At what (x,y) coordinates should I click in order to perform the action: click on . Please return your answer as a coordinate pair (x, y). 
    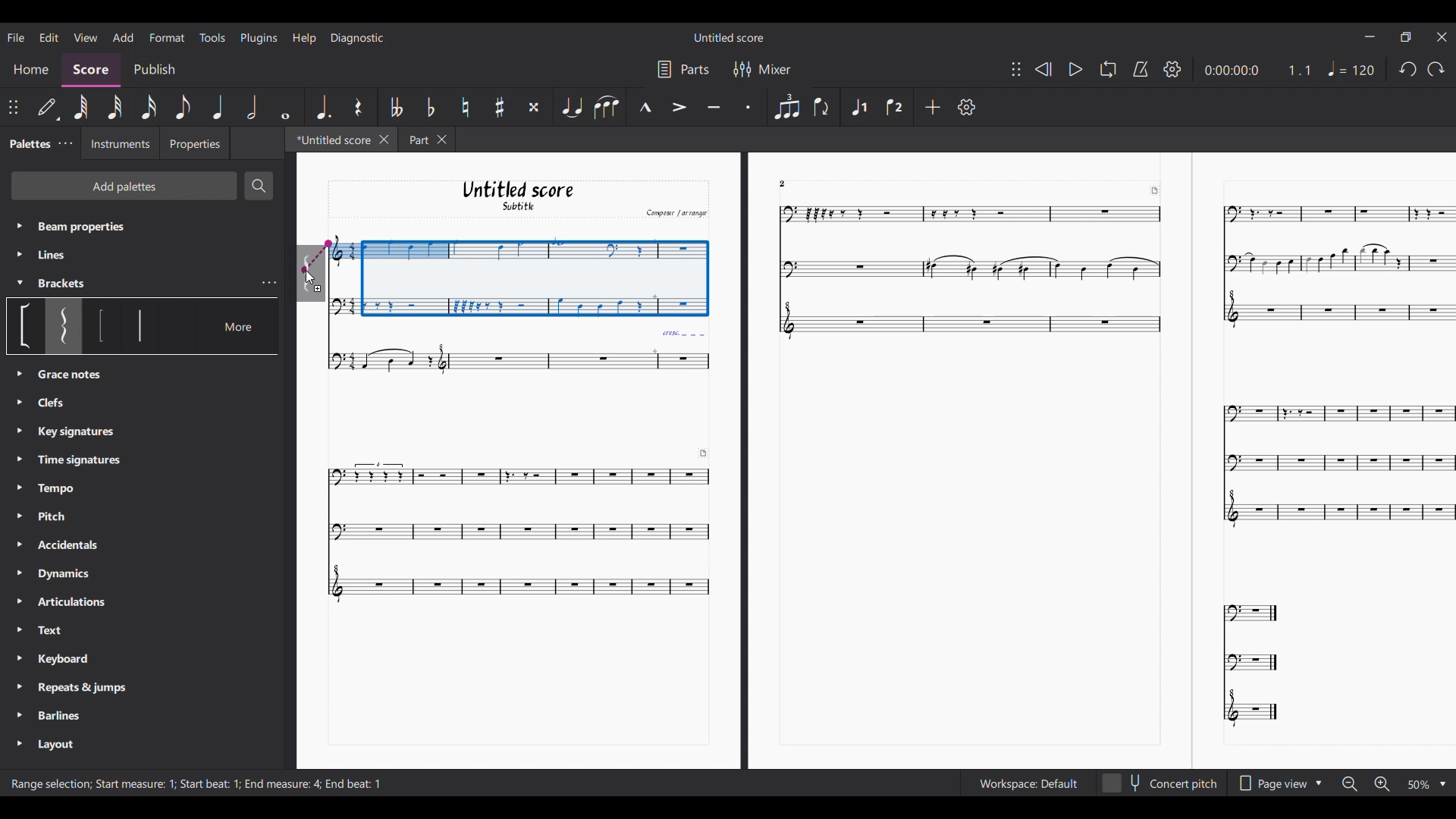
    Looking at the image, I should click on (1250, 661).